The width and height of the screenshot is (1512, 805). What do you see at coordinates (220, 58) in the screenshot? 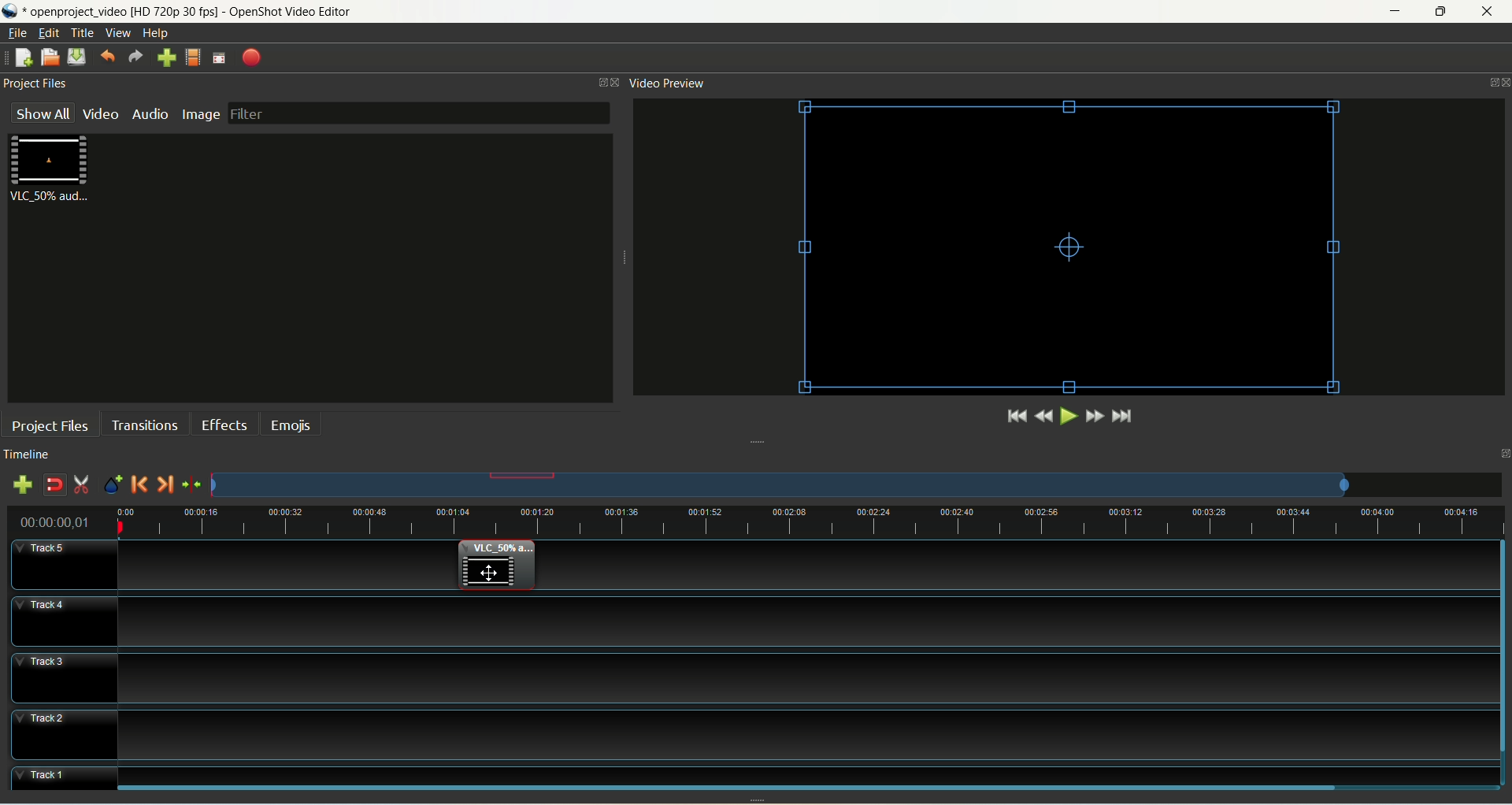
I see `fullscreen` at bounding box center [220, 58].